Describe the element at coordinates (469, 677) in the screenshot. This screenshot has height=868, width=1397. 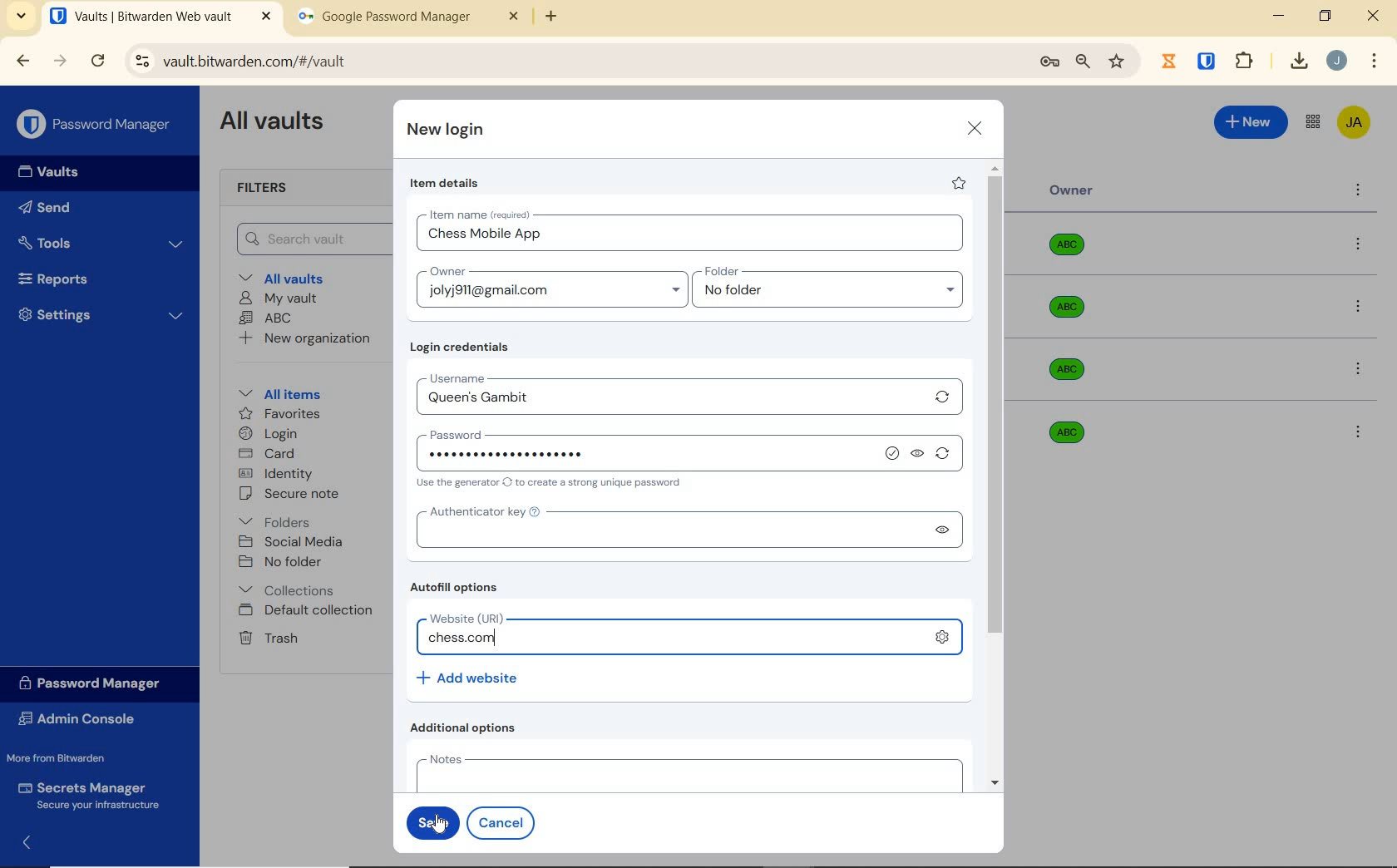
I see `Add website` at that location.